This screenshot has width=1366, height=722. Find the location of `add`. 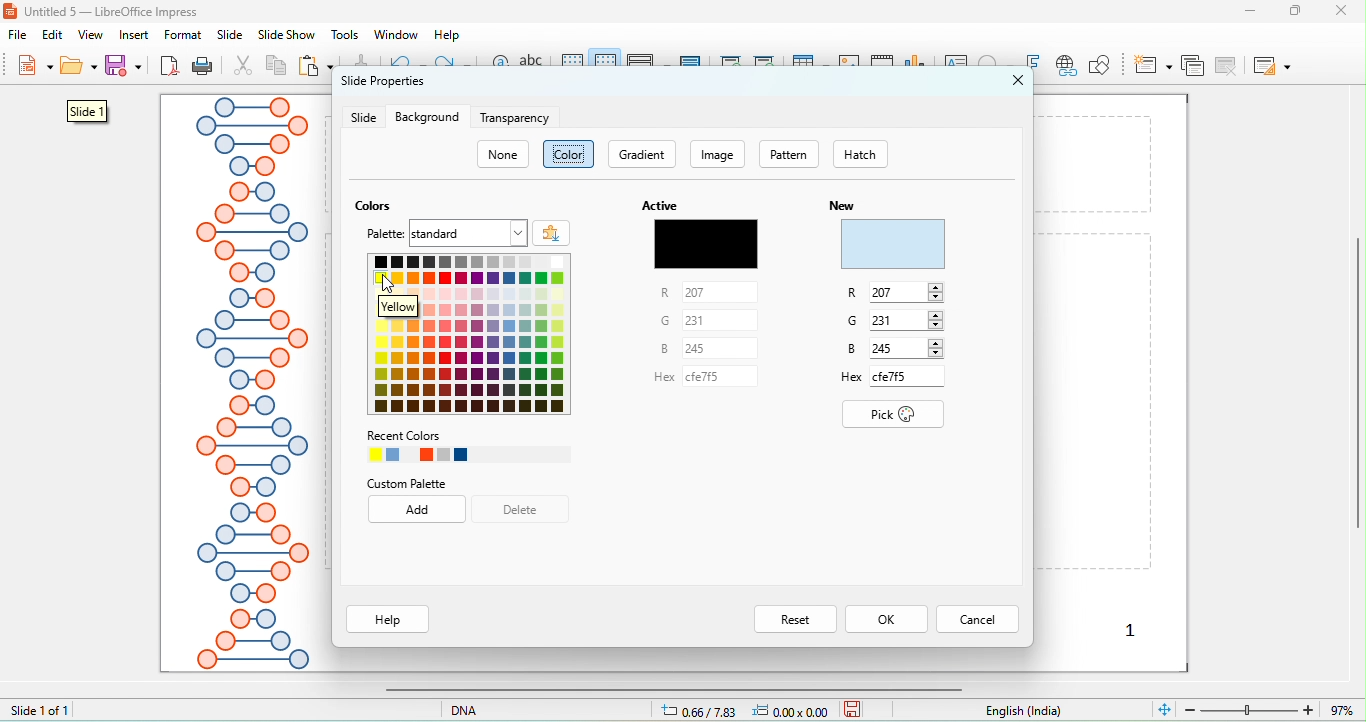

add is located at coordinates (419, 511).